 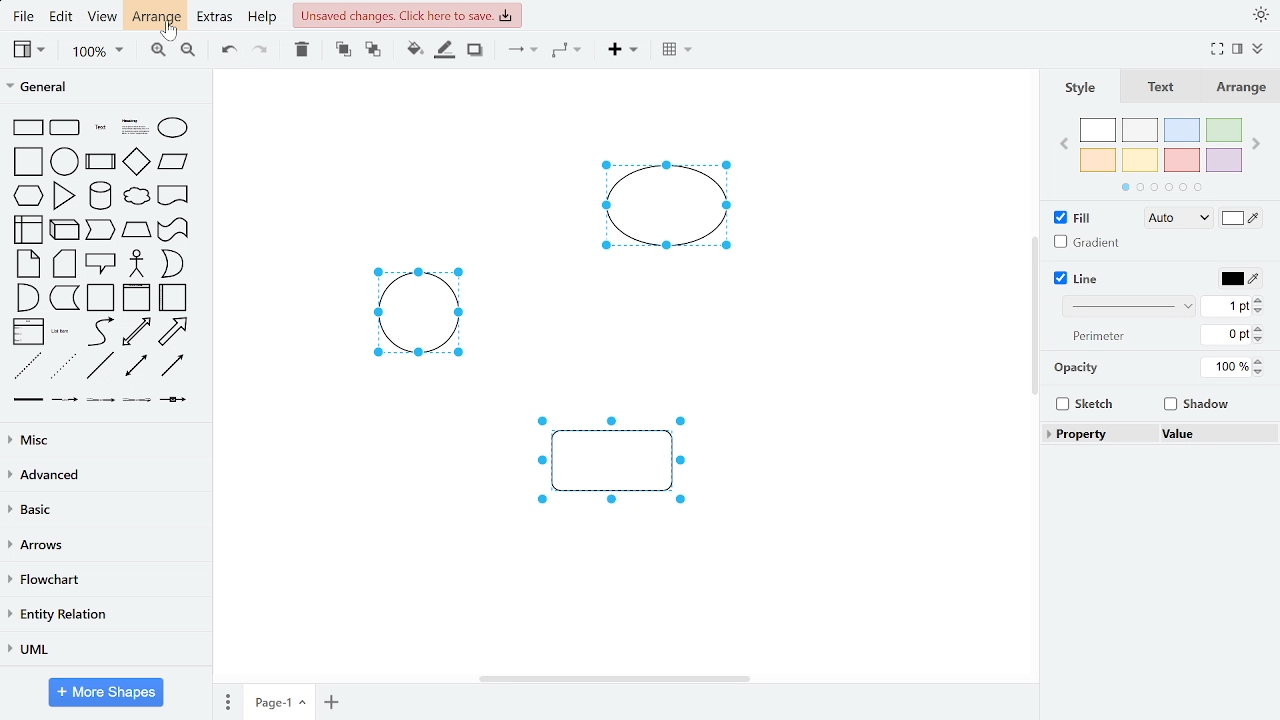 What do you see at coordinates (1259, 311) in the screenshot?
I see `decrease line thickness` at bounding box center [1259, 311].